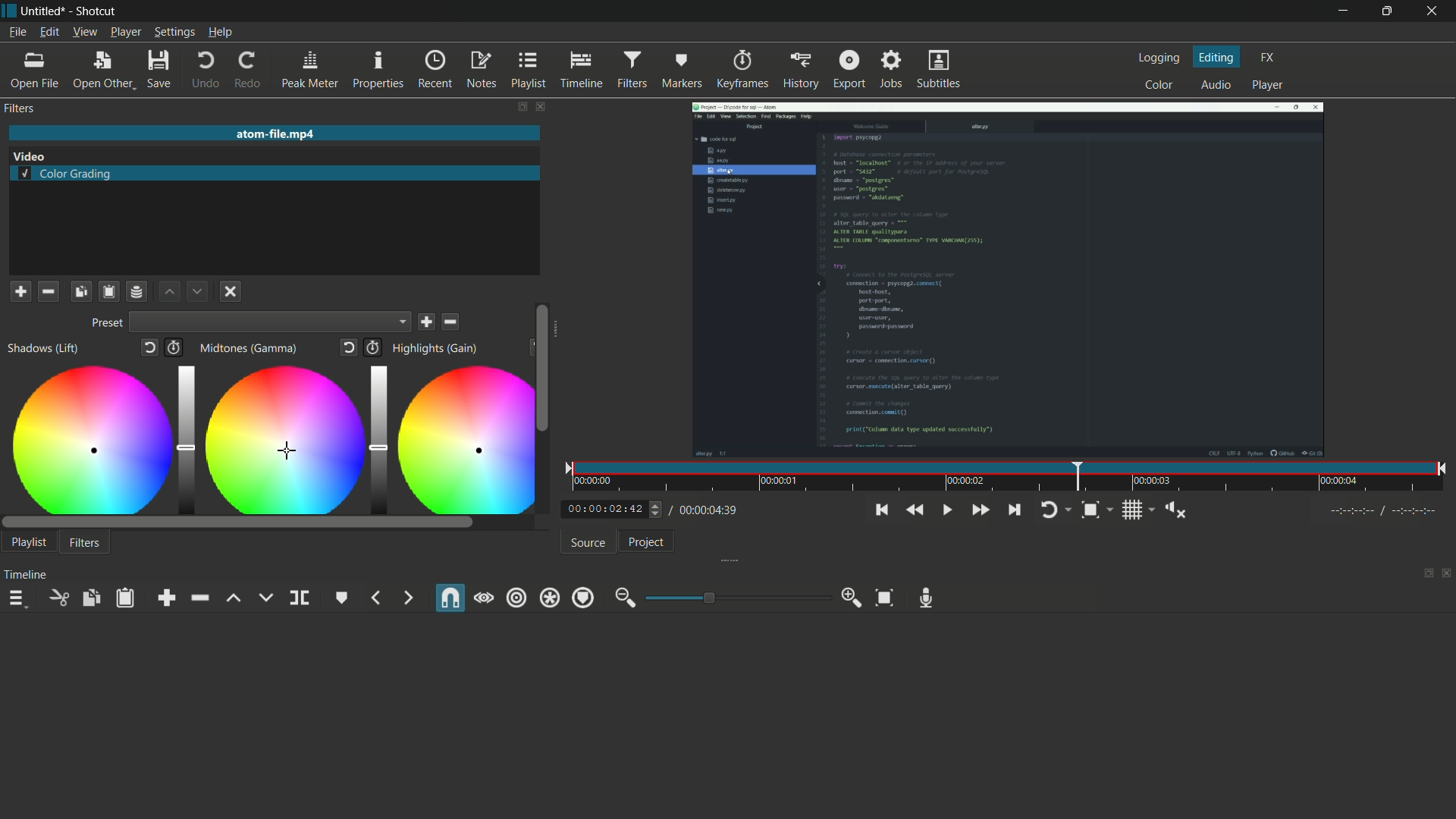 This screenshot has width=1456, height=819. What do you see at coordinates (44, 11) in the screenshot?
I see `project name` at bounding box center [44, 11].